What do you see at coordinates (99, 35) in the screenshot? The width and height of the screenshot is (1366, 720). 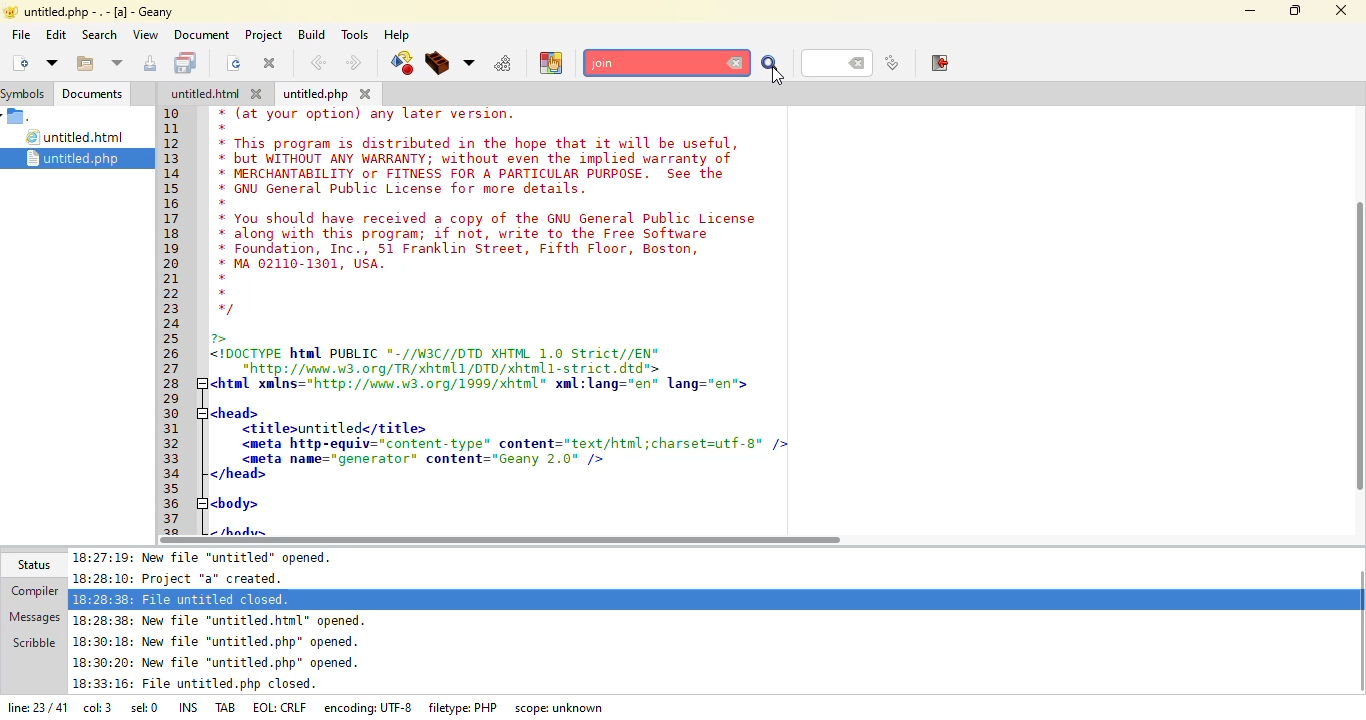 I see `search` at bounding box center [99, 35].